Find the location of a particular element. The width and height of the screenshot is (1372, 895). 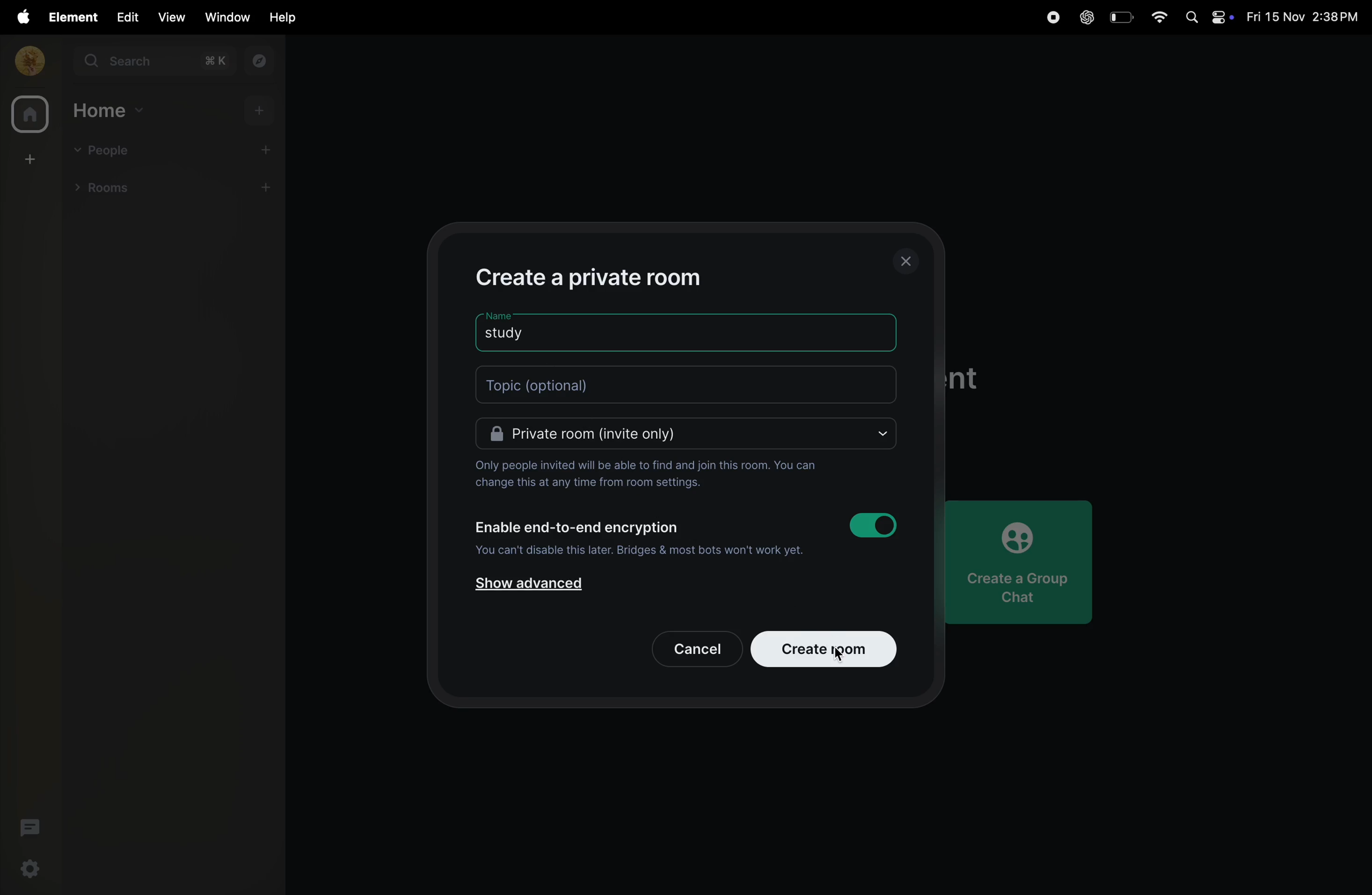

profile is located at coordinates (26, 60).